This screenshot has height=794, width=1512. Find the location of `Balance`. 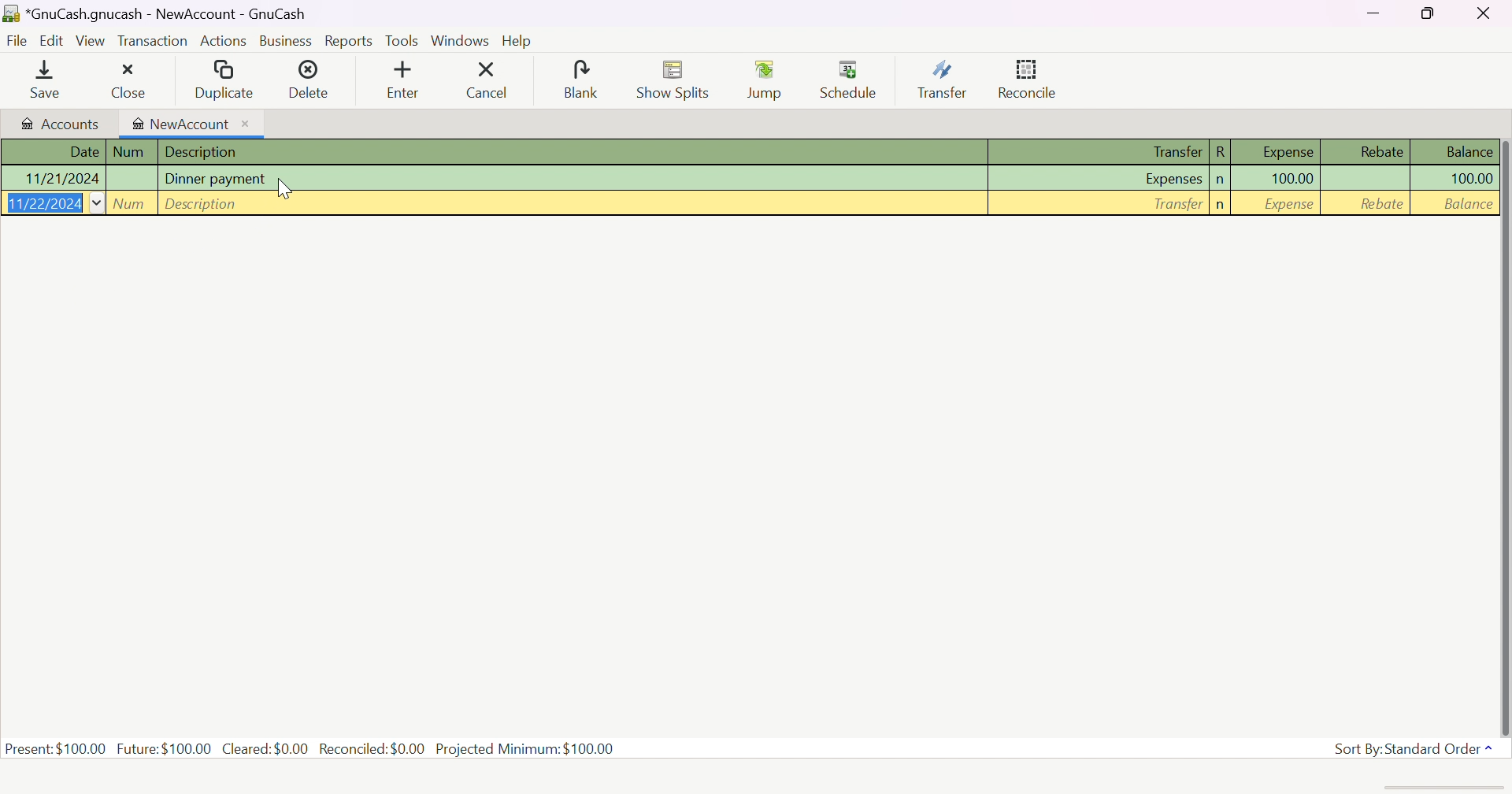

Balance is located at coordinates (1470, 151).